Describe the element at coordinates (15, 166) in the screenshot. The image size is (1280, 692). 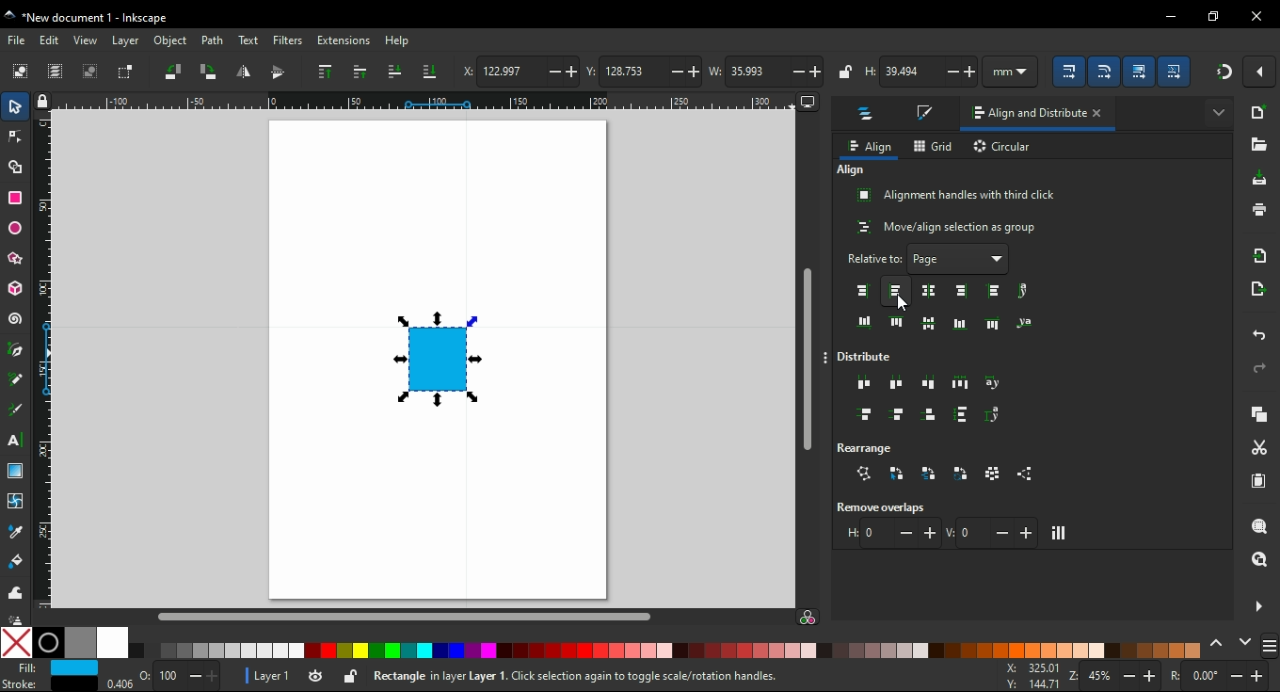
I see `shape builder tool` at that location.